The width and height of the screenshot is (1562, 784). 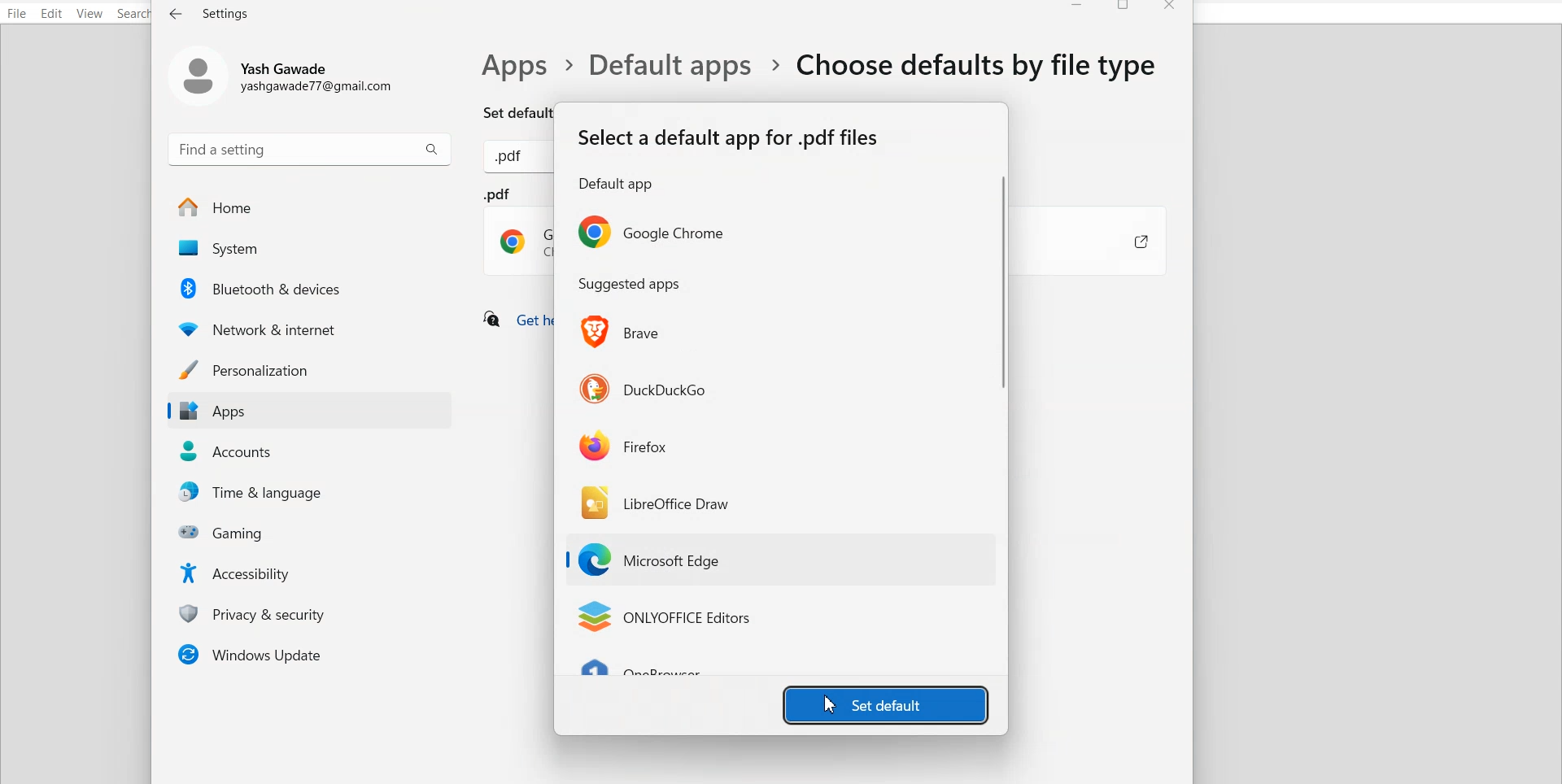 What do you see at coordinates (664, 572) in the screenshot?
I see `Cursor` at bounding box center [664, 572].